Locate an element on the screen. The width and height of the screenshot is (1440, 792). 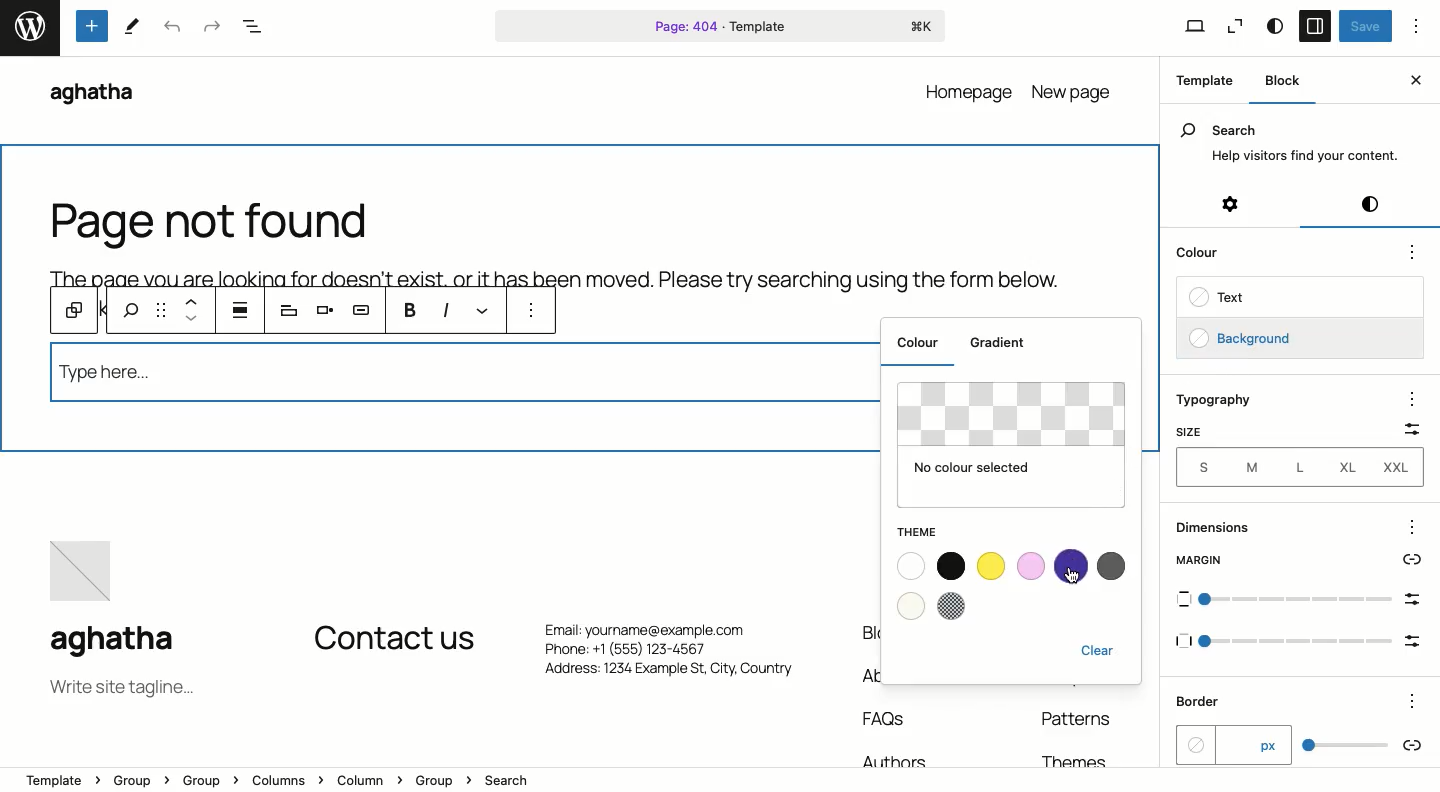
options is located at coordinates (1412, 528).